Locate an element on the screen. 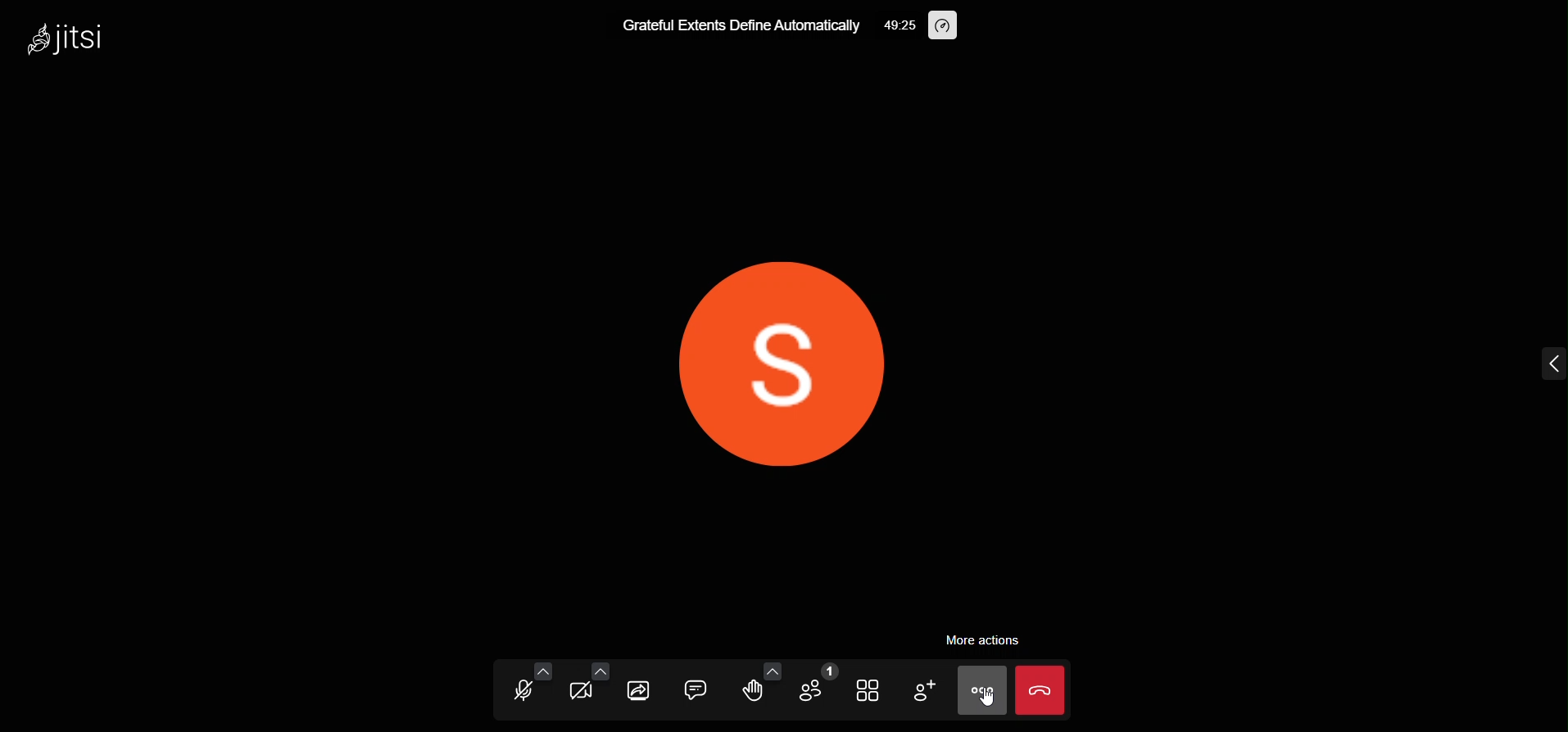 This screenshot has width=1568, height=732. participants is located at coordinates (818, 686).